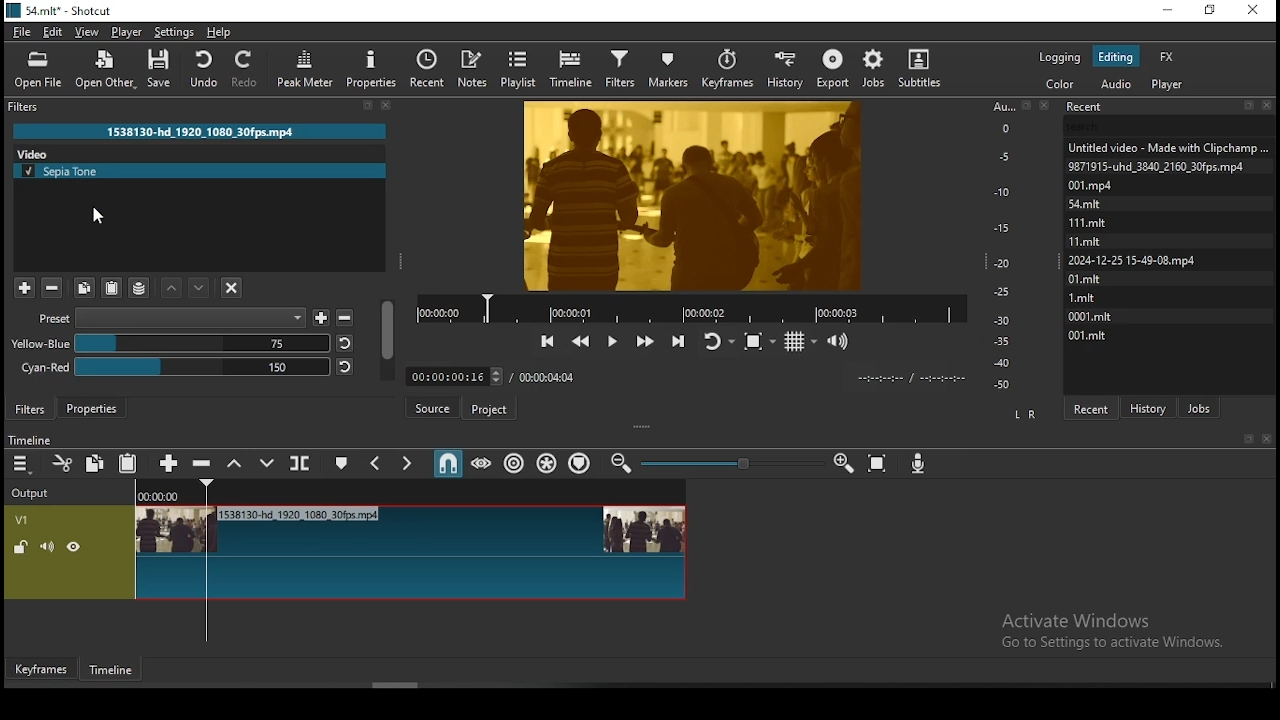  Describe the element at coordinates (344, 366) in the screenshot. I see `reset to default` at that location.